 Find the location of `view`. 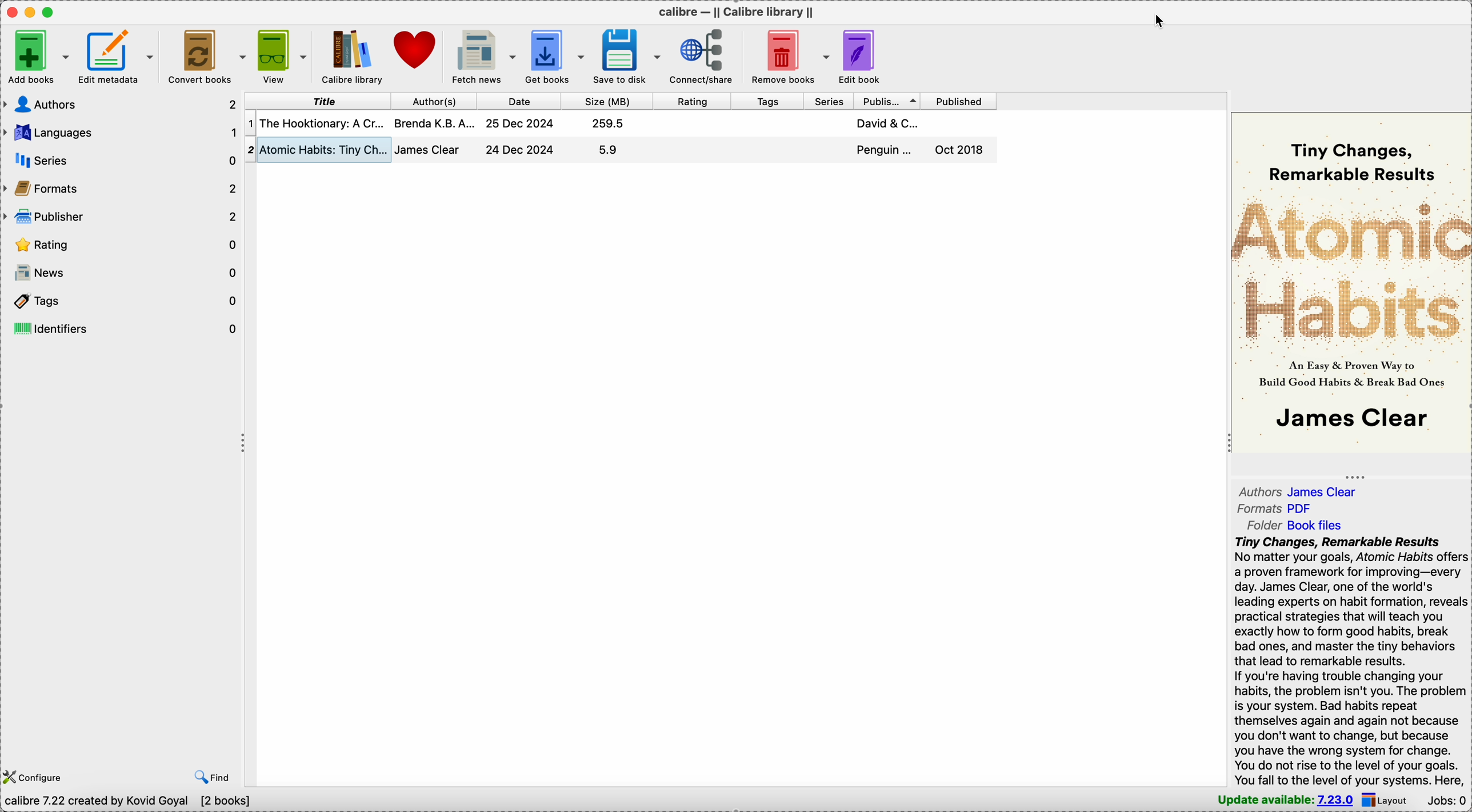

view is located at coordinates (281, 55).